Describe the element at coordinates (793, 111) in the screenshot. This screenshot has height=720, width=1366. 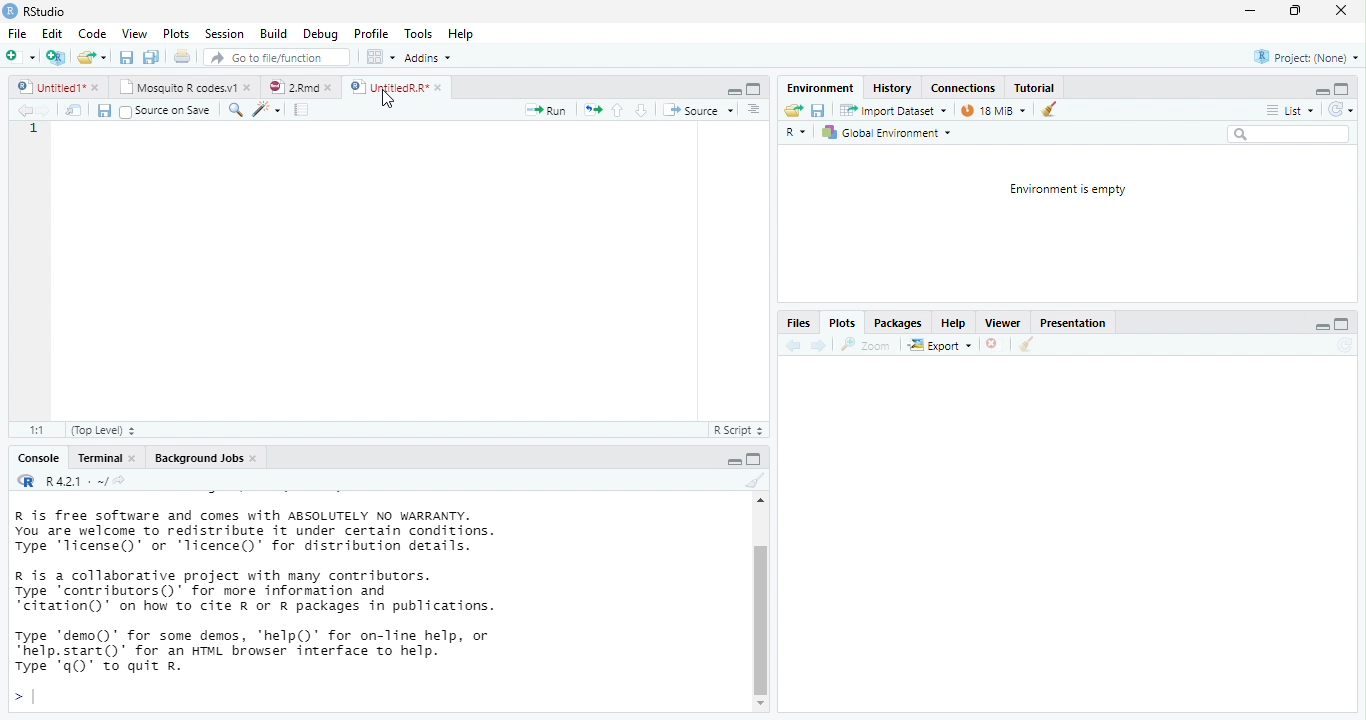
I see `Load workspace` at that location.